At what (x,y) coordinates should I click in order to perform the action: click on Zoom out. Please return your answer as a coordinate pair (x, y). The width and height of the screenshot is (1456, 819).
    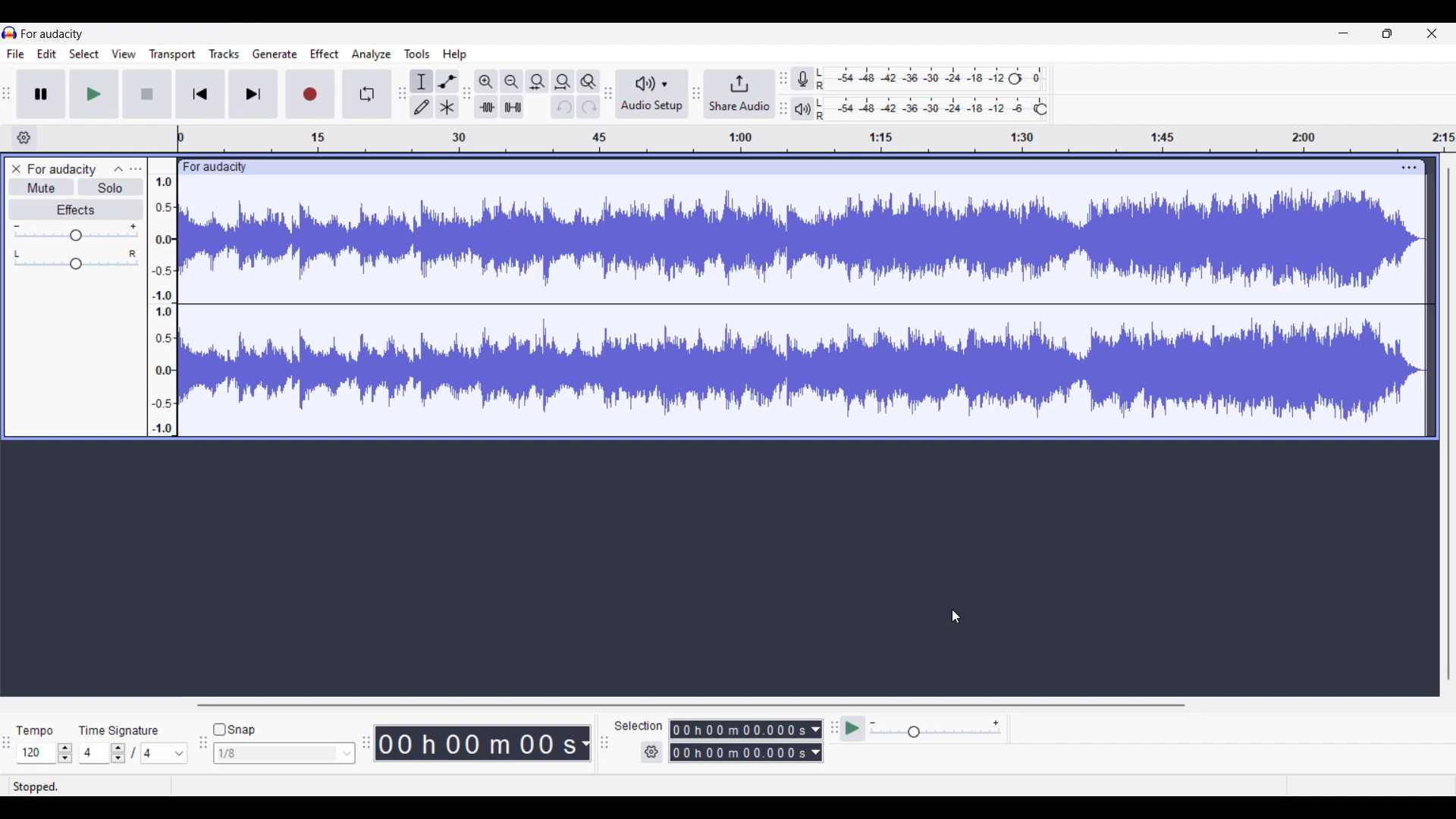
    Looking at the image, I should click on (512, 82).